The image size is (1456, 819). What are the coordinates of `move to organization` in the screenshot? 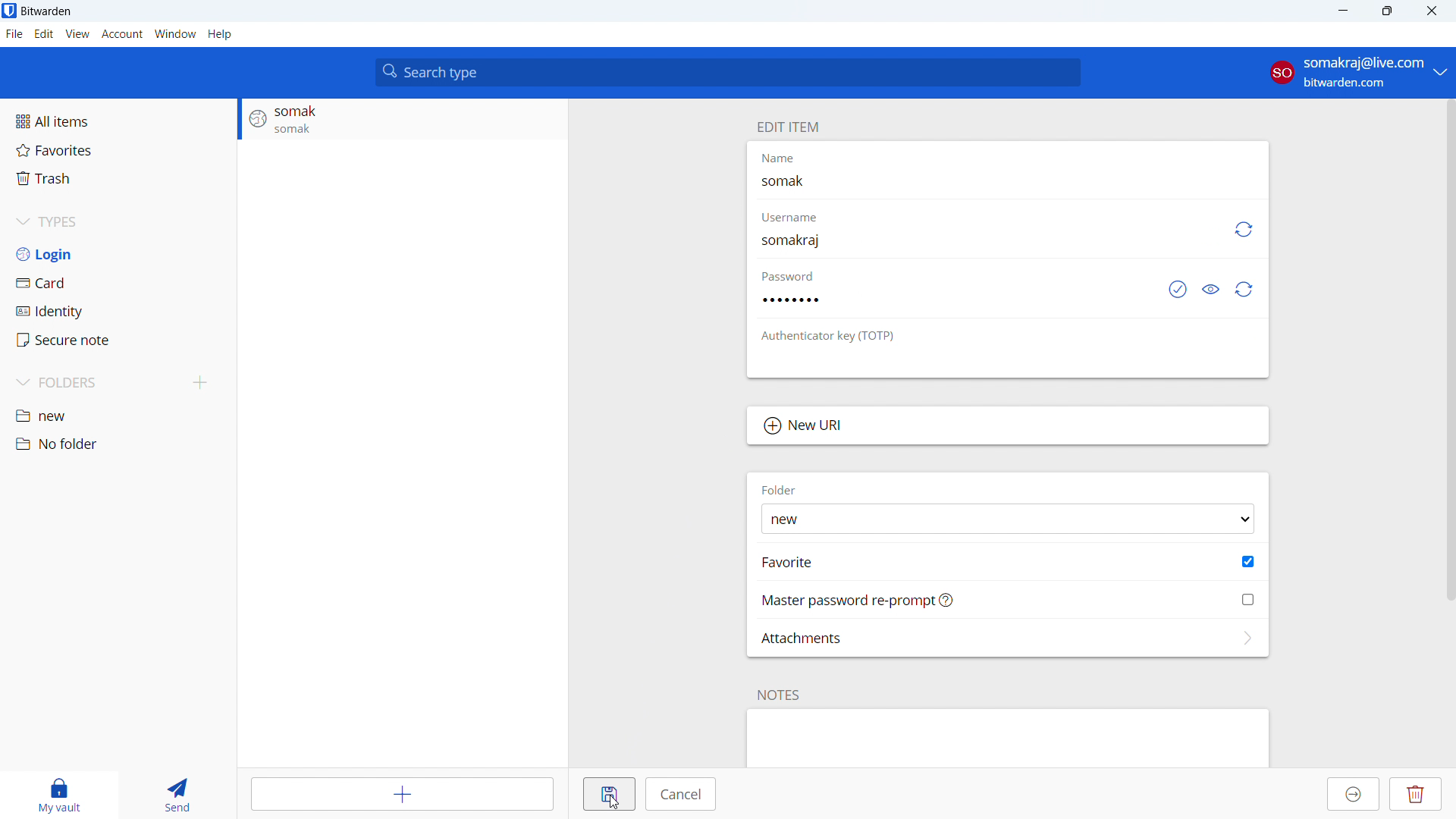 It's located at (1354, 794).